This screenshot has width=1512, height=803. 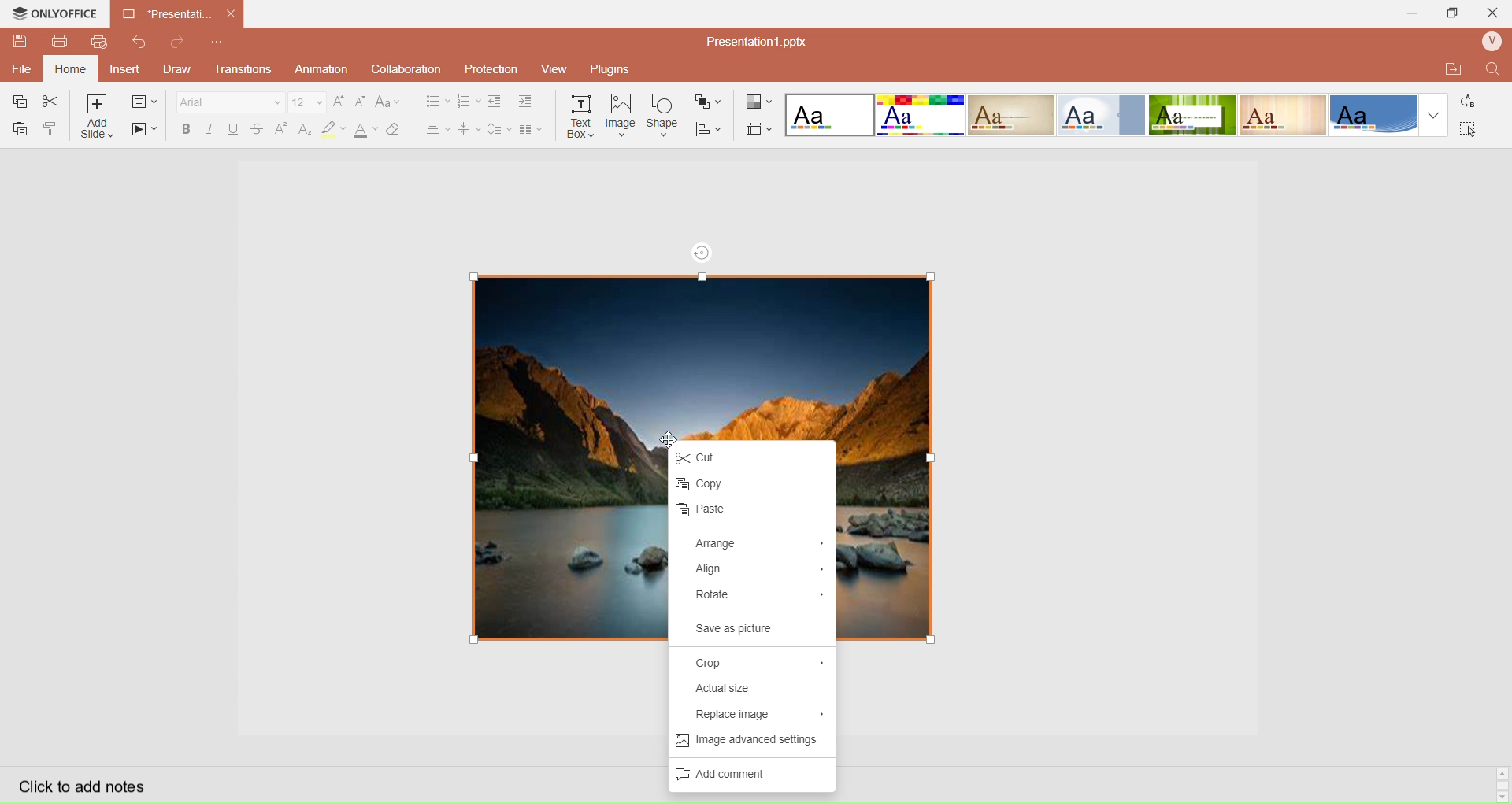 What do you see at coordinates (709, 129) in the screenshot?
I see `Align Shape` at bounding box center [709, 129].